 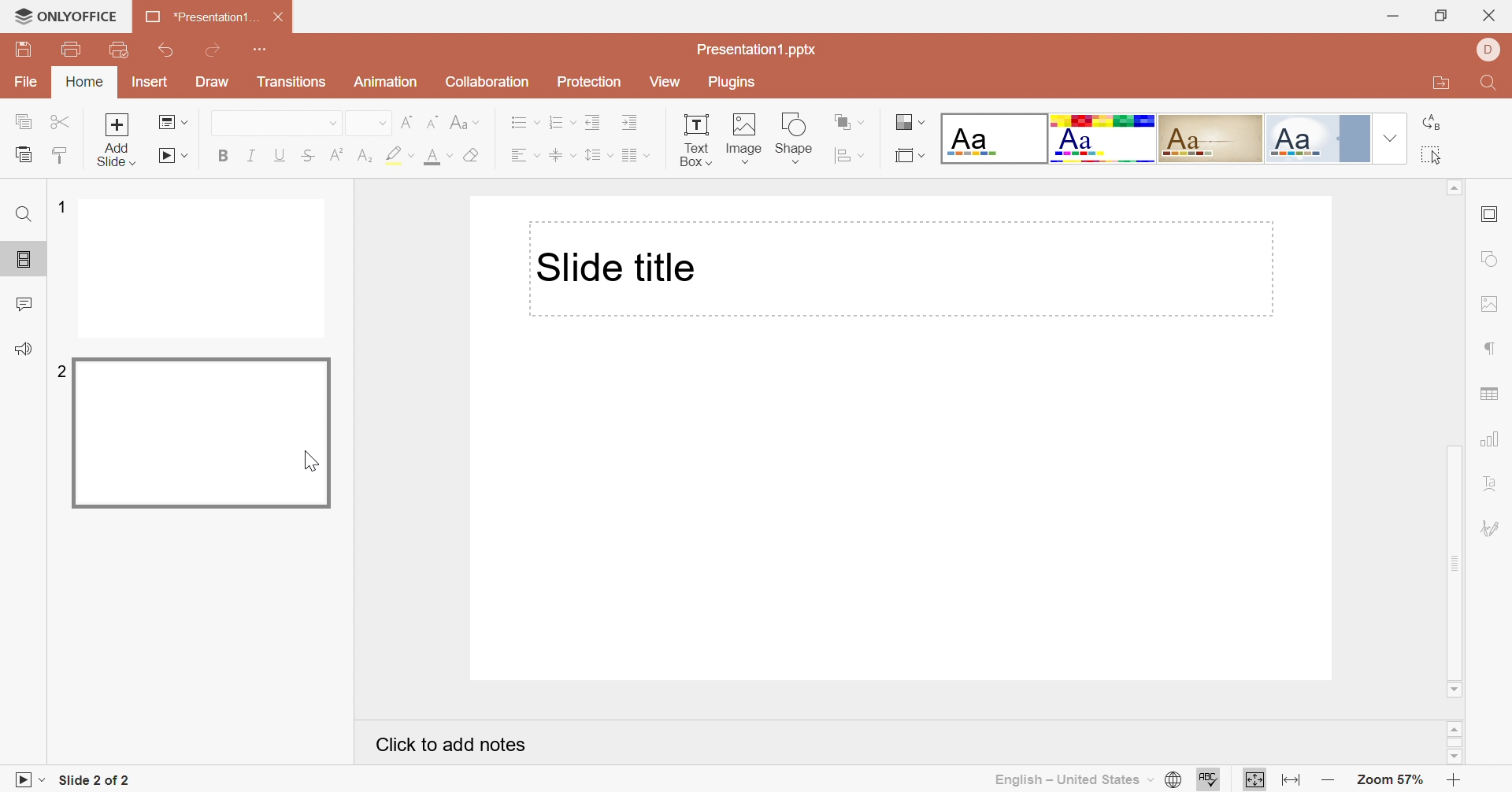 What do you see at coordinates (1291, 781) in the screenshot?
I see `Fit to width` at bounding box center [1291, 781].